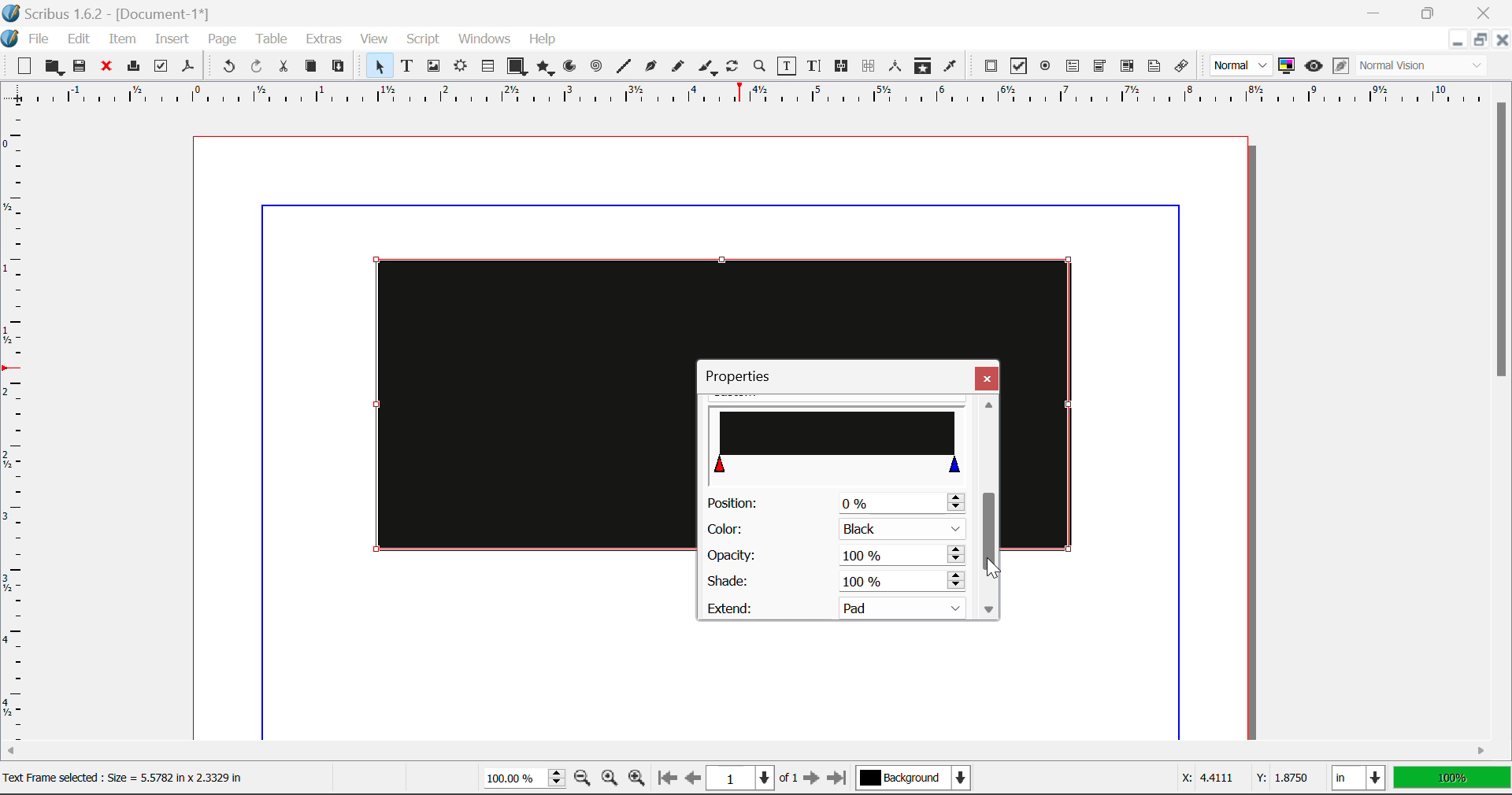  What do you see at coordinates (839, 440) in the screenshot?
I see `Gradient Slider` at bounding box center [839, 440].